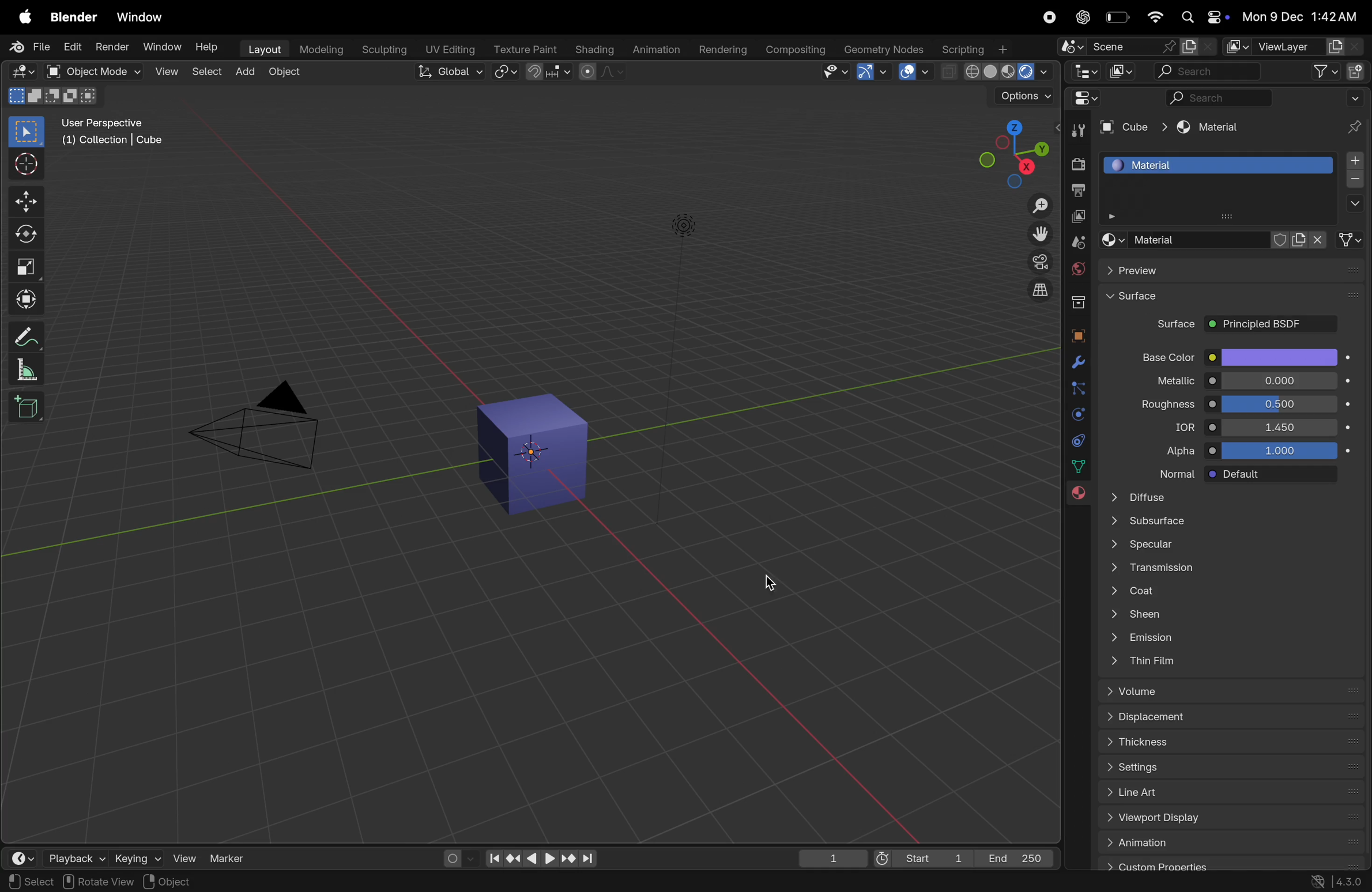  Describe the element at coordinates (1302, 16) in the screenshot. I see `date and time` at that location.